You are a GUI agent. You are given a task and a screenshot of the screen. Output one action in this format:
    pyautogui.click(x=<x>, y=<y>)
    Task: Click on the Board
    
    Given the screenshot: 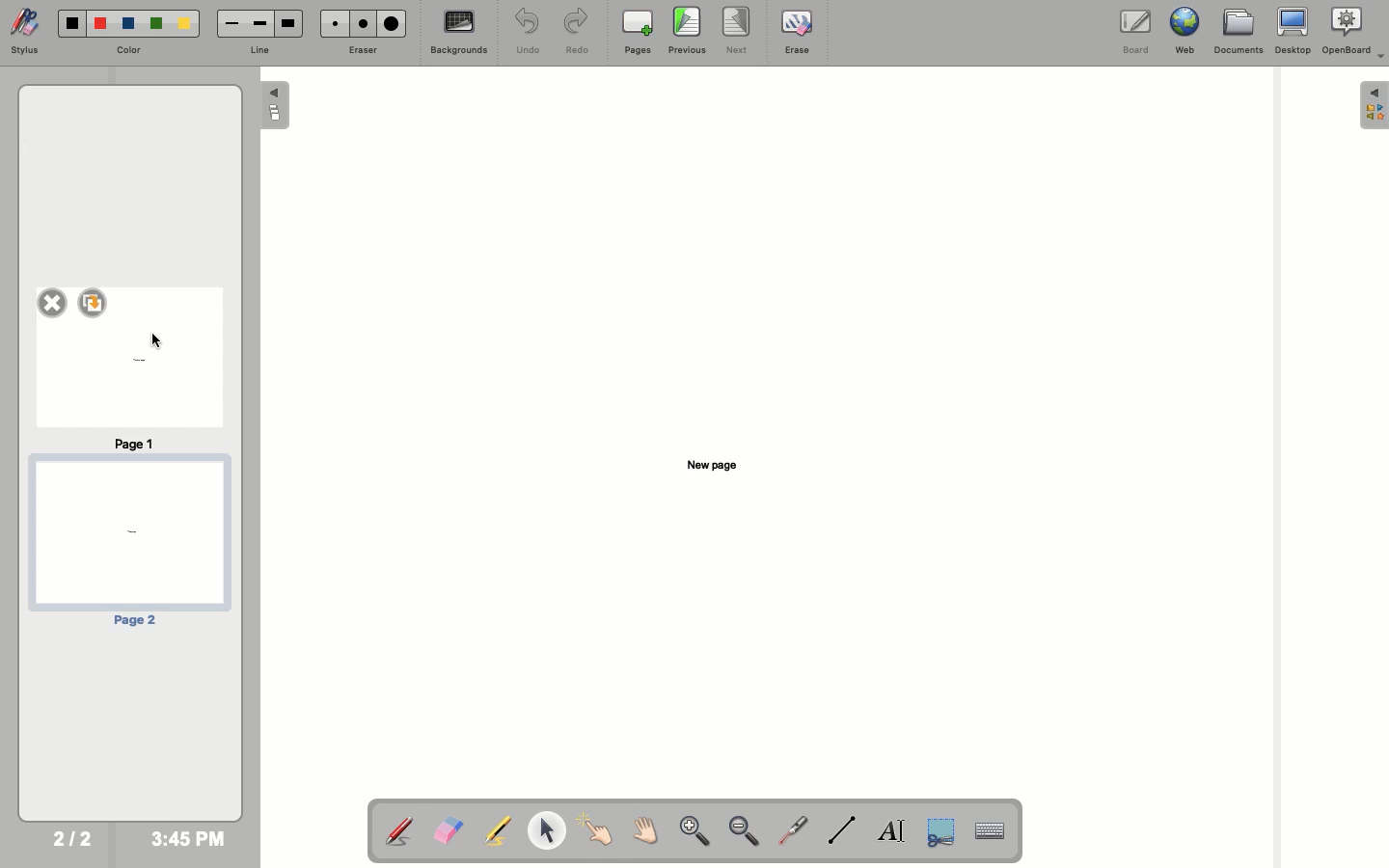 What is the action you would take?
    pyautogui.click(x=1136, y=34)
    